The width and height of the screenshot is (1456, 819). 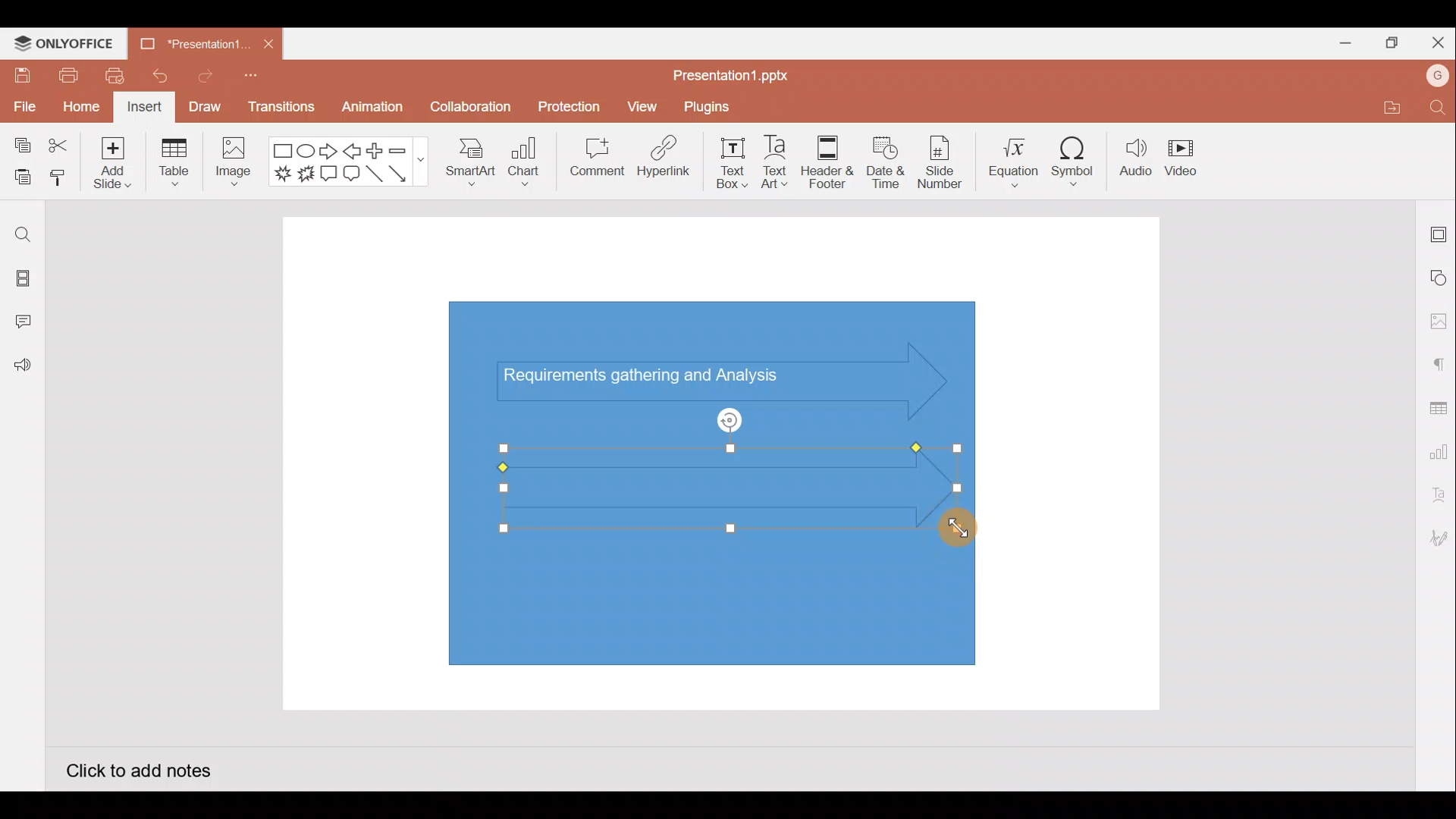 What do you see at coordinates (736, 71) in the screenshot?
I see `Presentation1.pptx` at bounding box center [736, 71].